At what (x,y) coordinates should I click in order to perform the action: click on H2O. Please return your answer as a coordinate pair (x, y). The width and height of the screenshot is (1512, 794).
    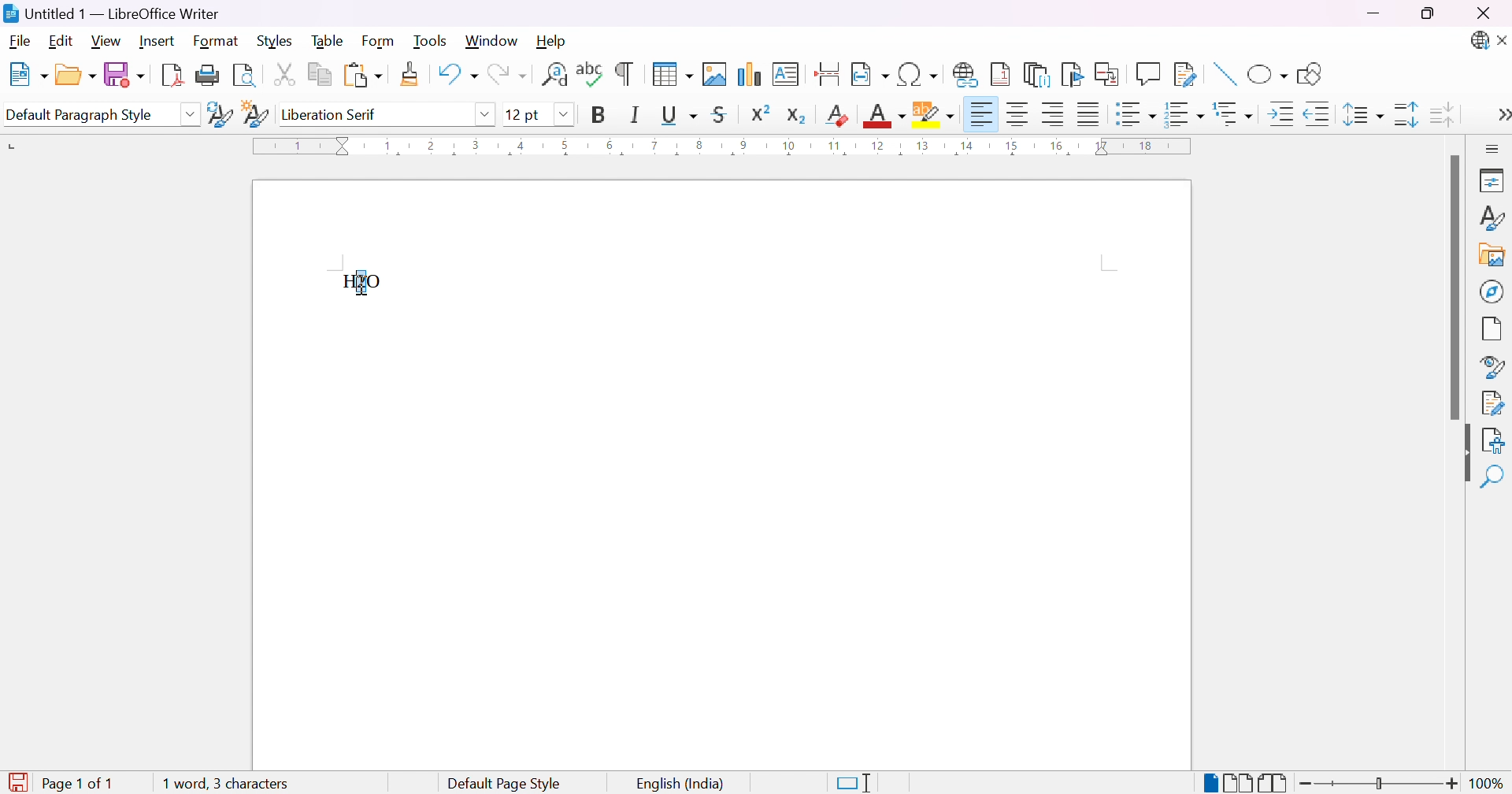
    Looking at the image, I should click on (361, 280).